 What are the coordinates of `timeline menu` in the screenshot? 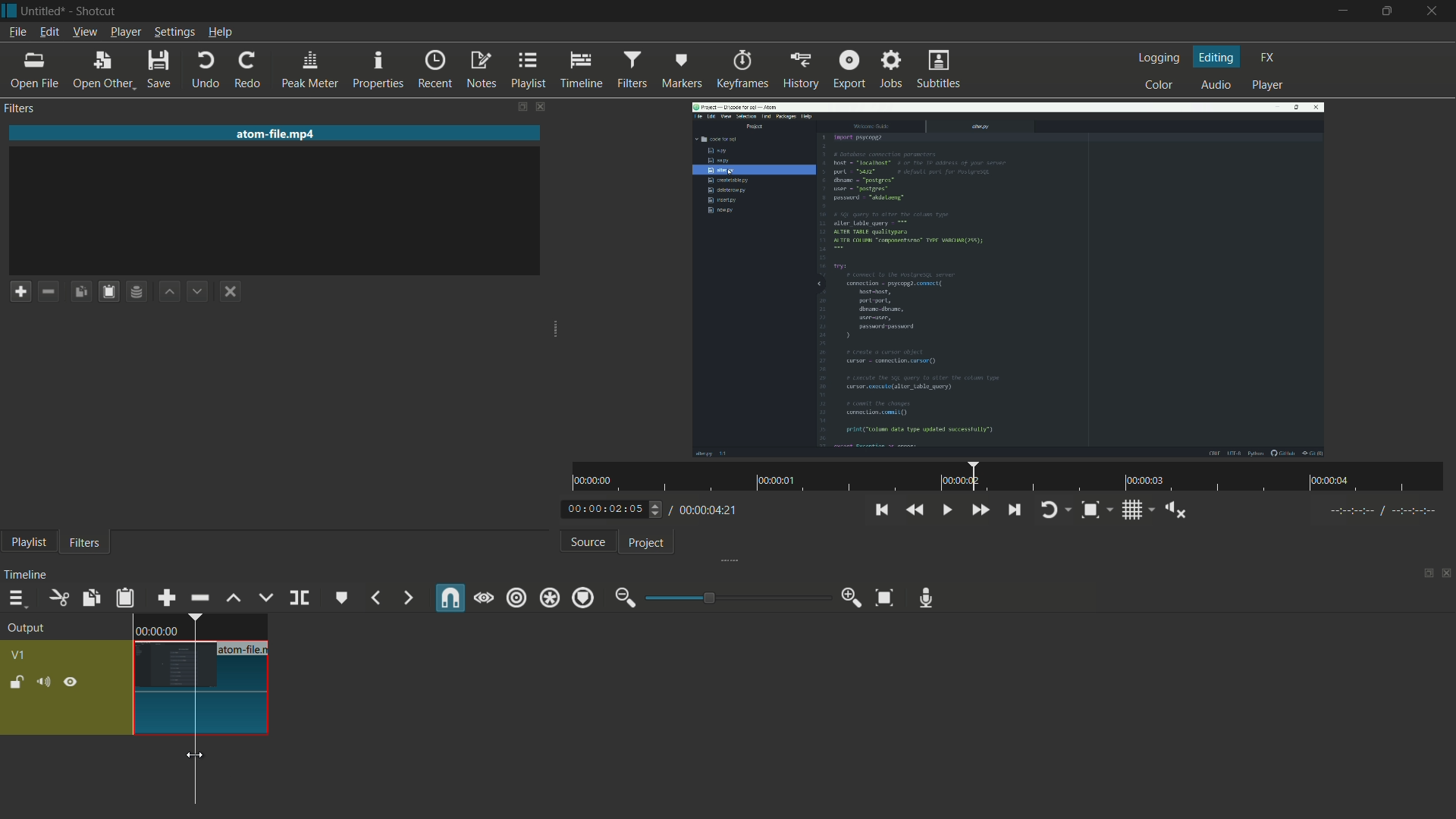 It's located at (16, 598).